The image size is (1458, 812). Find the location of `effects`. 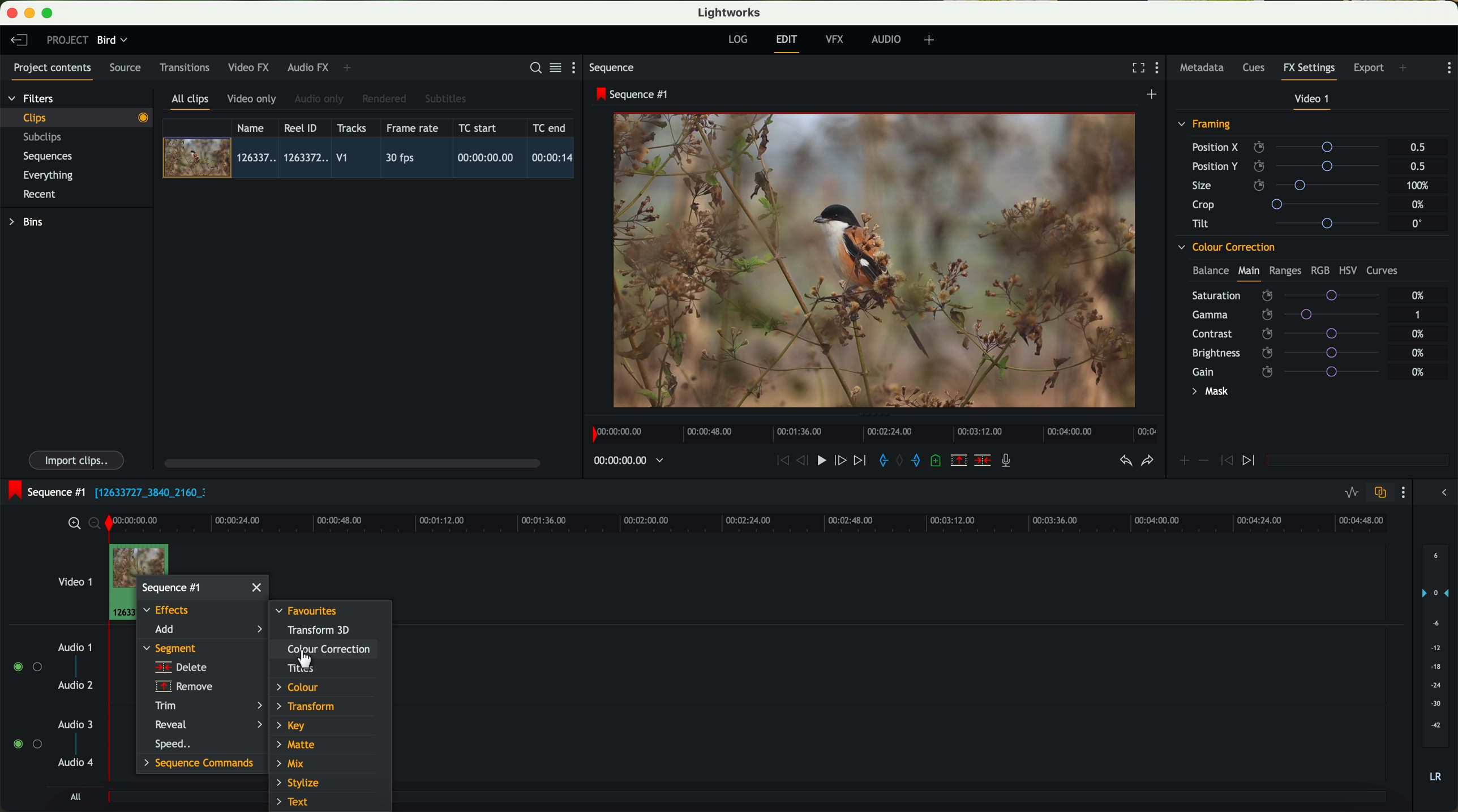

effects is located at coordinates (167, 609).